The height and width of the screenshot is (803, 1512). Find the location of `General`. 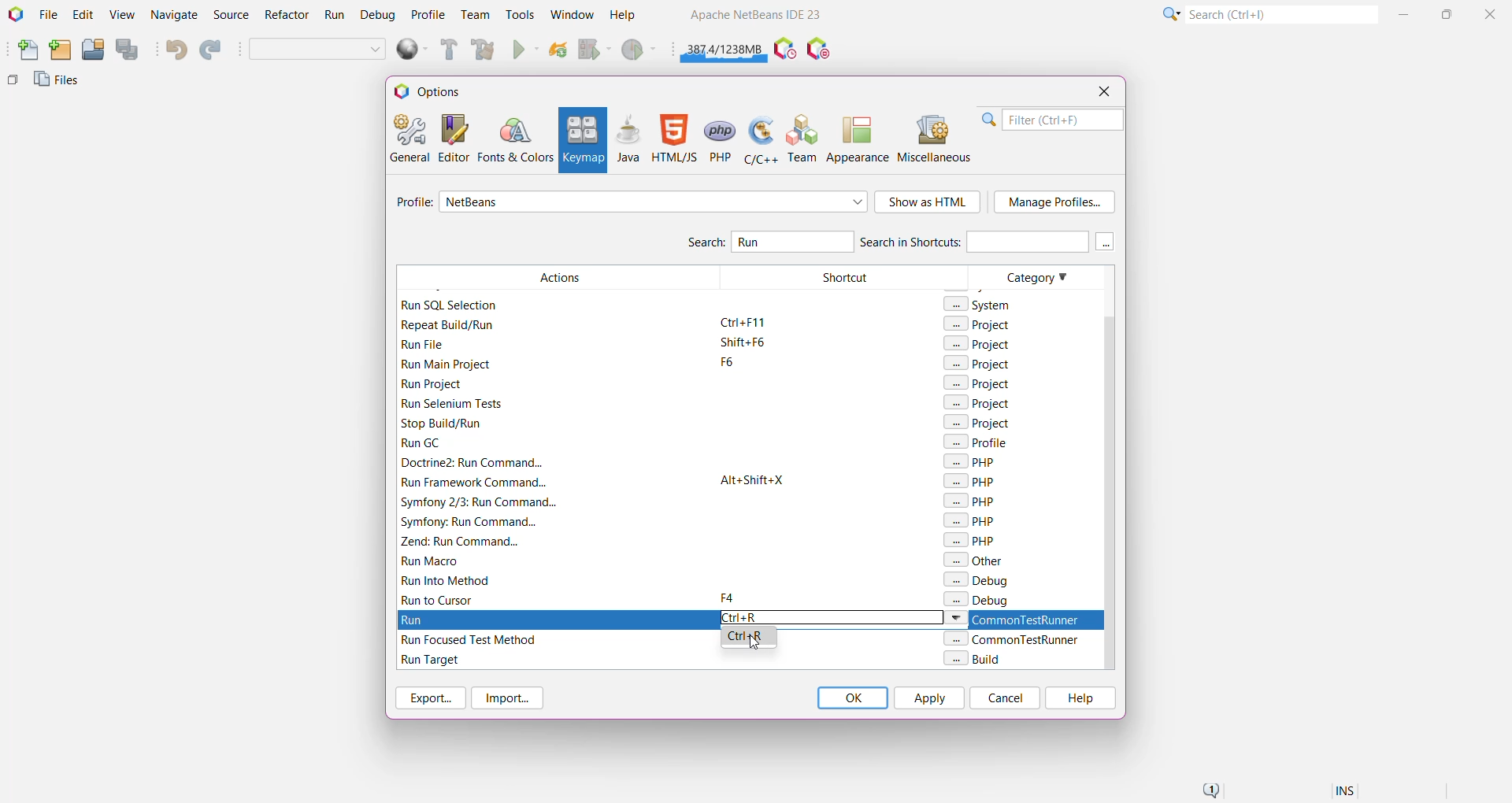

General is located at coordinates (408, 137).